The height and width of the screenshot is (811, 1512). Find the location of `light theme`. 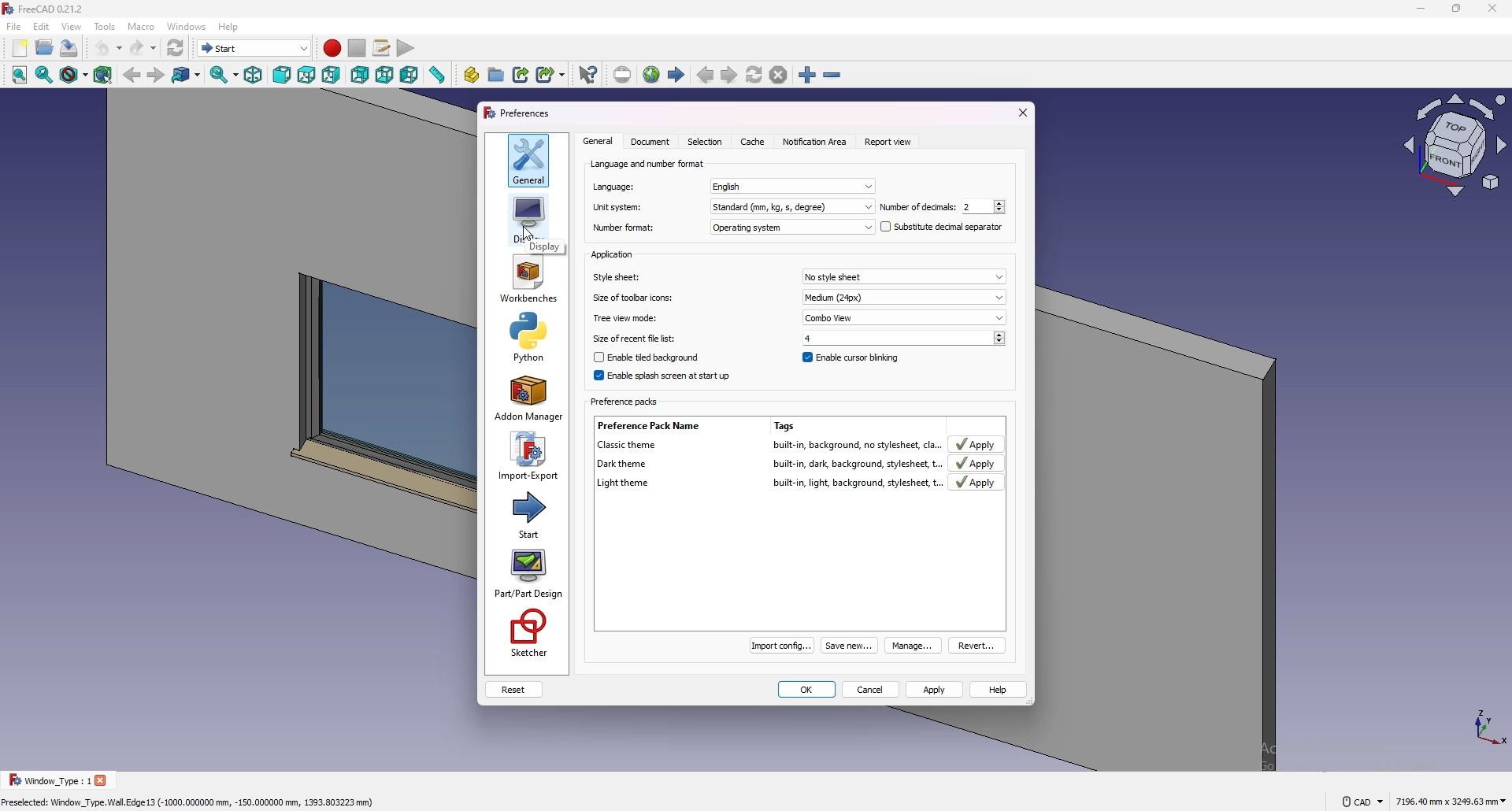

light theme is located at coordinates (624, 483).